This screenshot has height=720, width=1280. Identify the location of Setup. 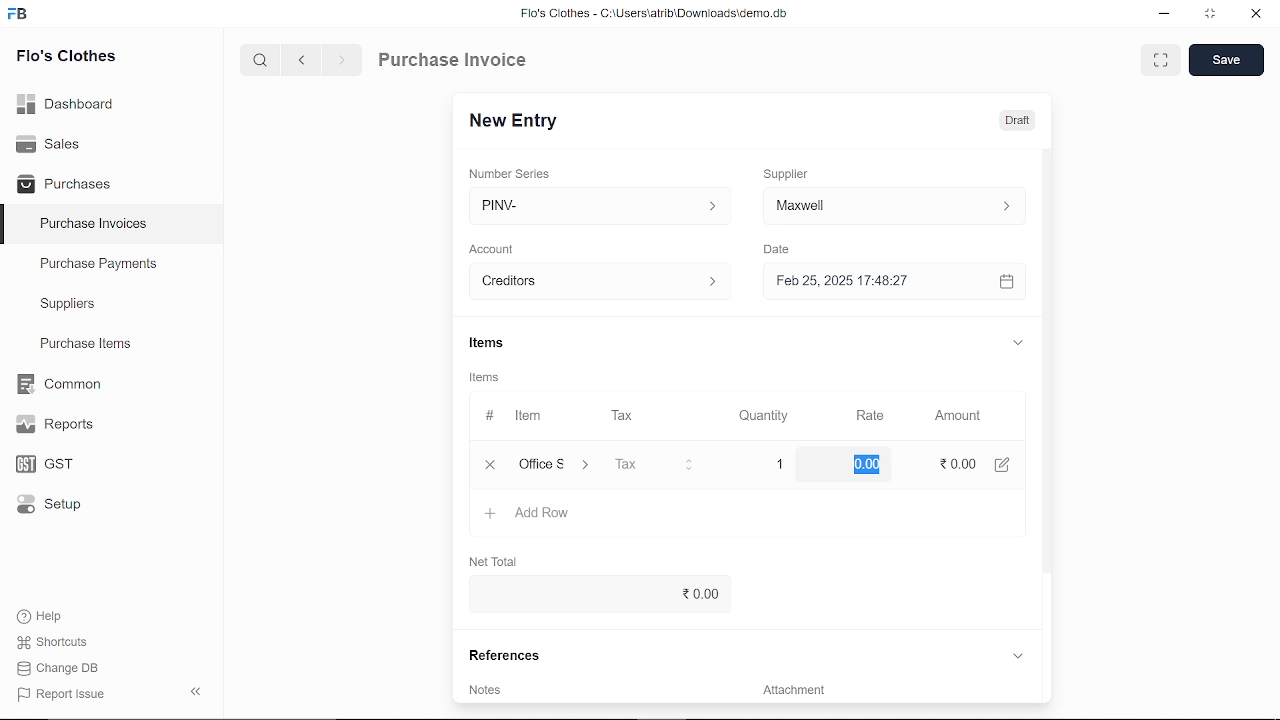
(44, 508).